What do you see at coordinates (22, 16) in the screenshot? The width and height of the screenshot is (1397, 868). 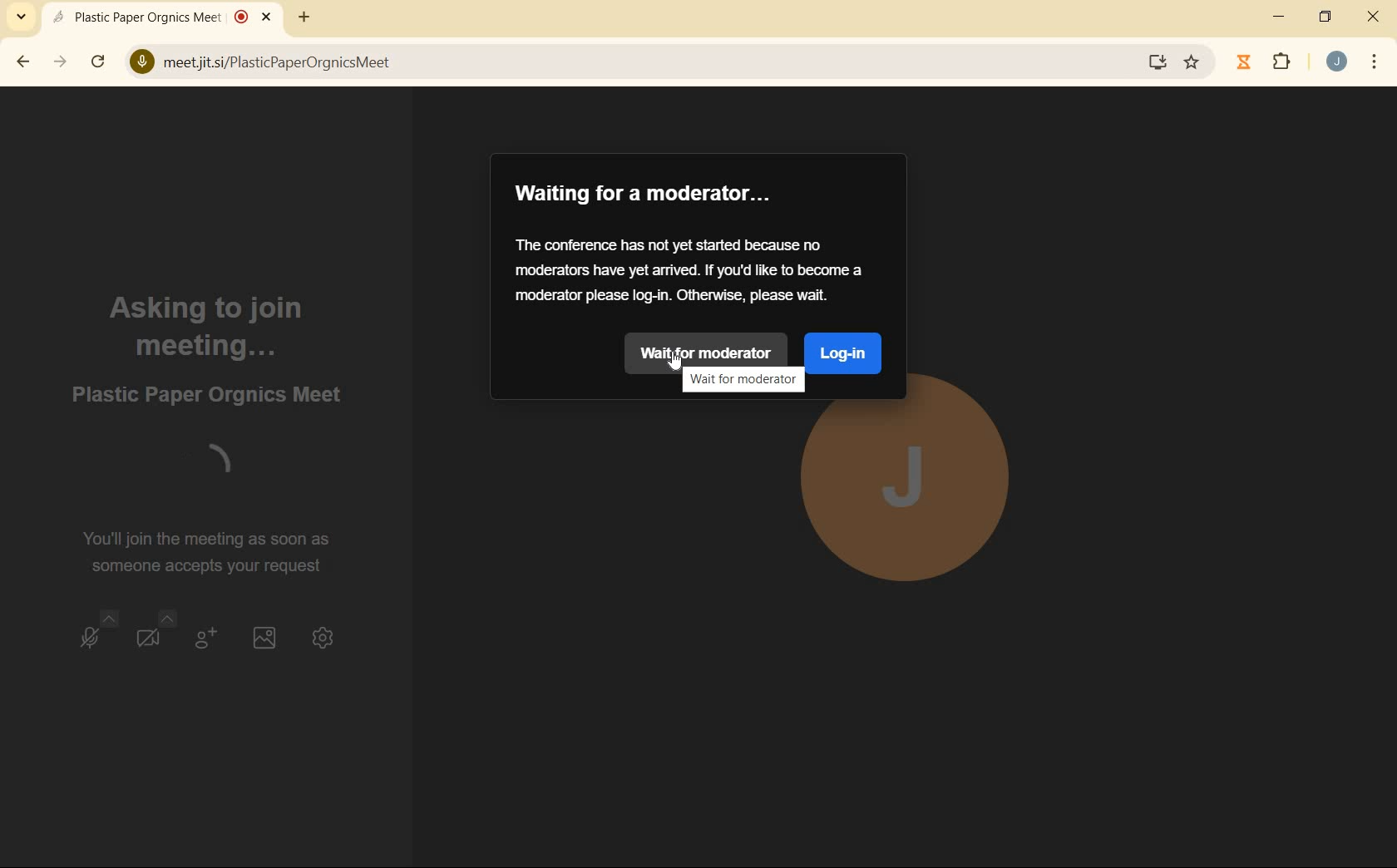 I see `search tabs` at bounding box center [22, 16].